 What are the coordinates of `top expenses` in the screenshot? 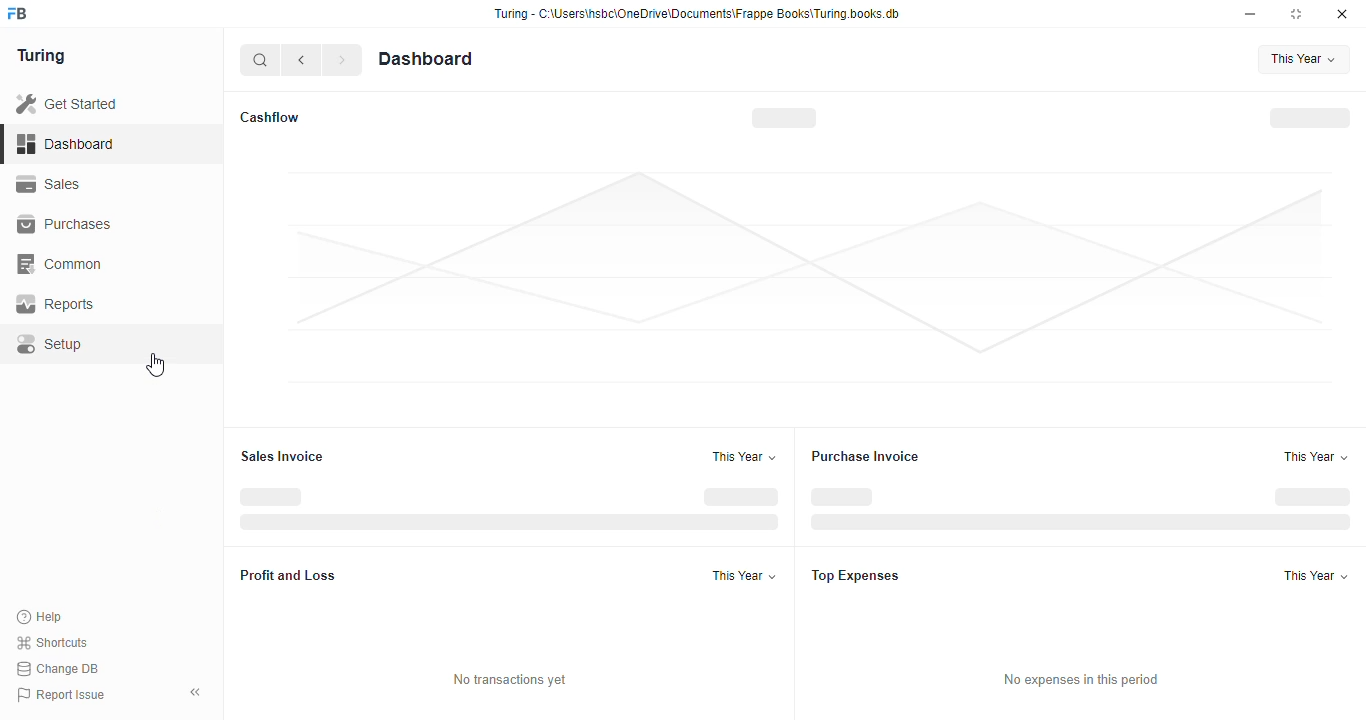 It's located at (856, 575).